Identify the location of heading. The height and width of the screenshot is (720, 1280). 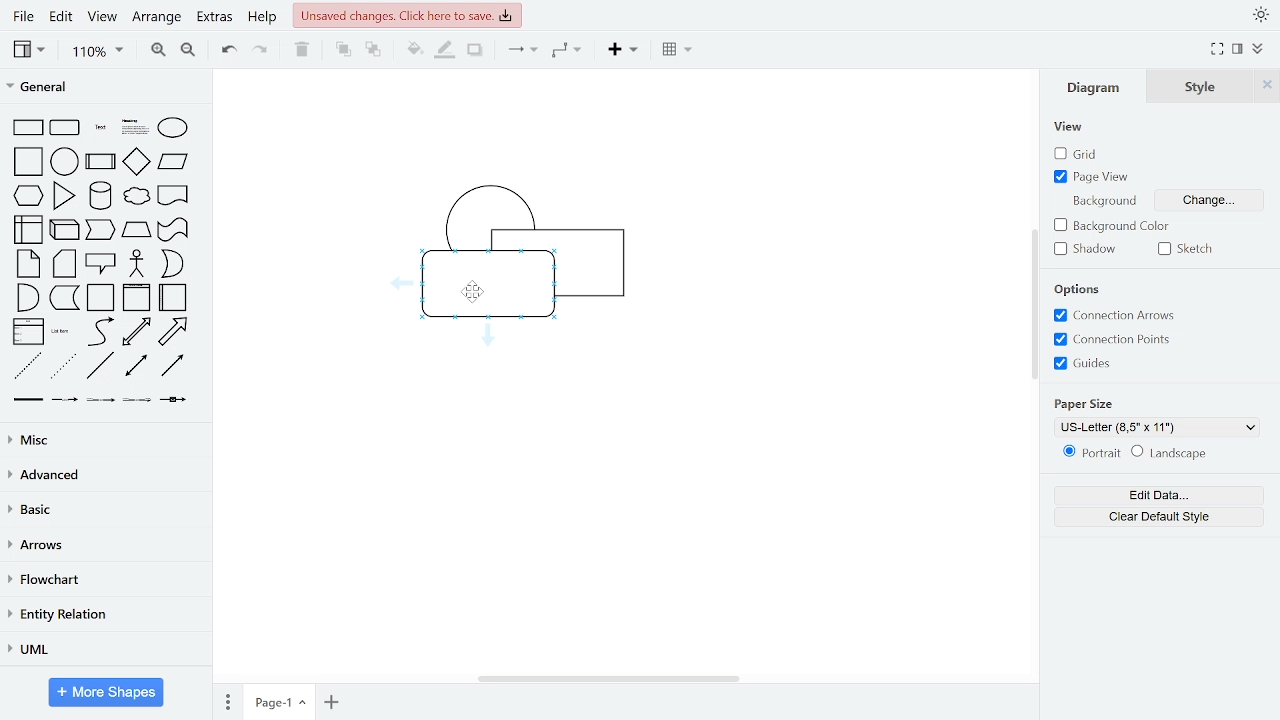
(134, 127).